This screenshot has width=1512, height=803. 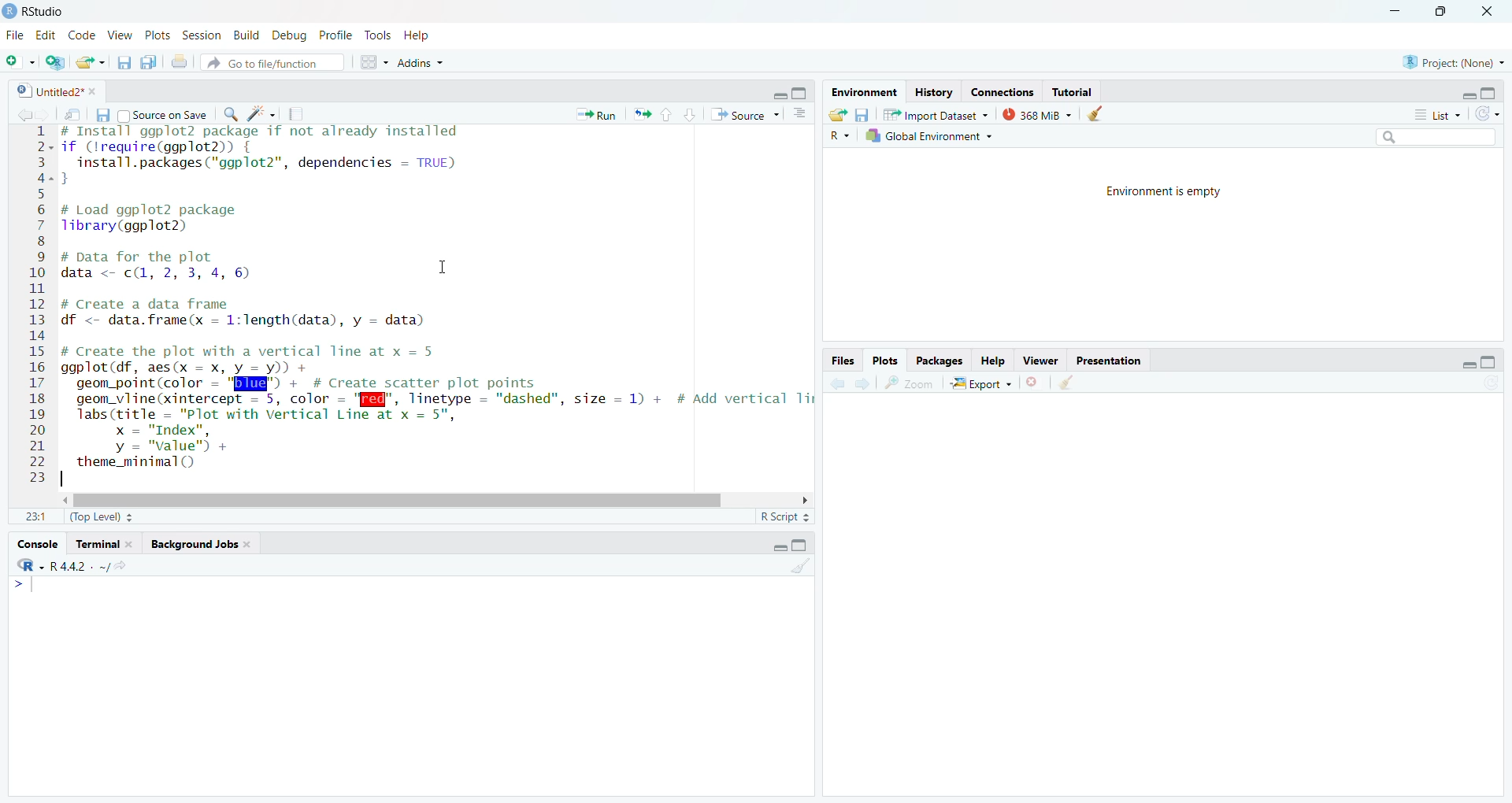 What do you see at coordinates (45, 35) in the screenshot?
I see `Edit` at bounding box center [45, 35].